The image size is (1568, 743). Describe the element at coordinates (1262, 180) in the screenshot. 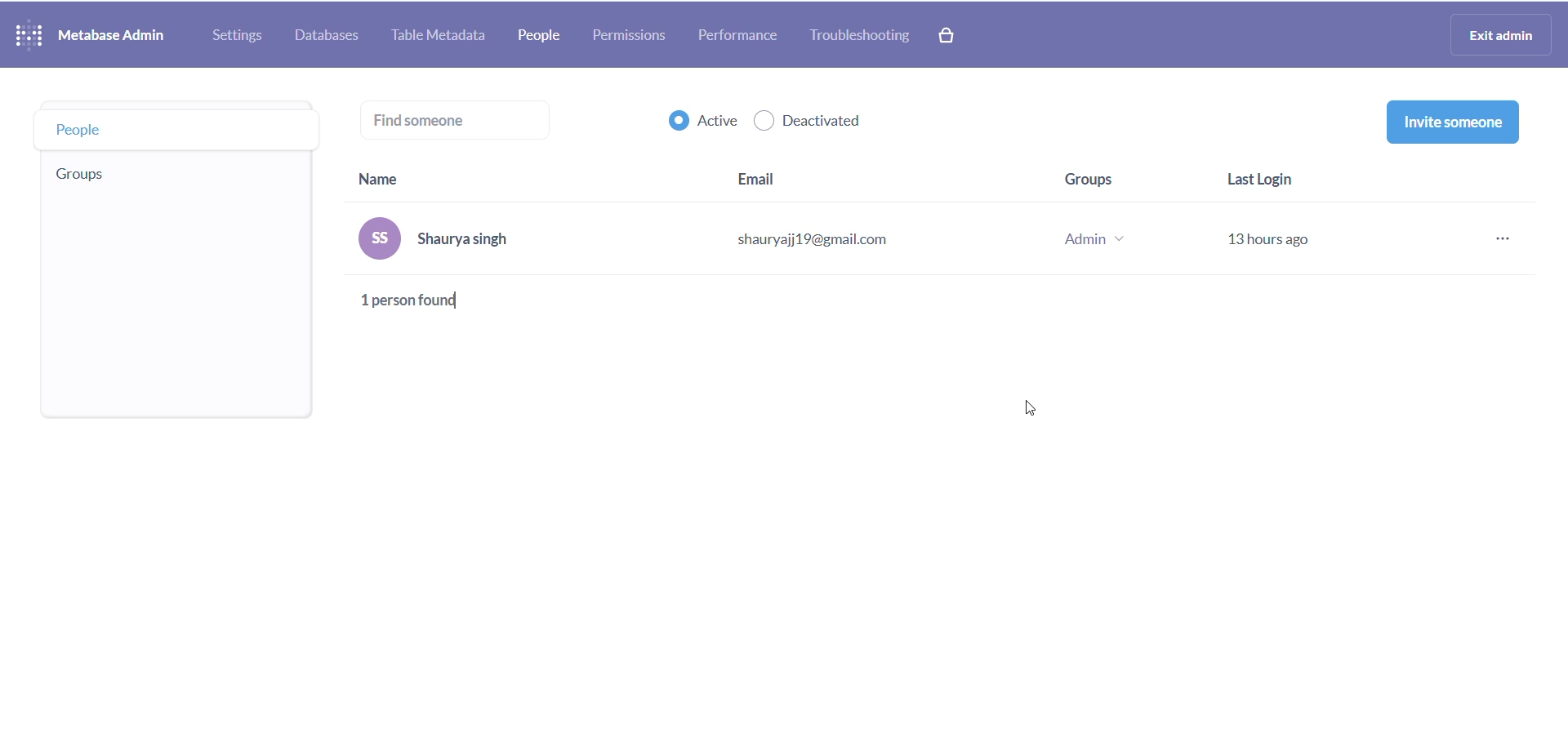

I see `last login` at that location.